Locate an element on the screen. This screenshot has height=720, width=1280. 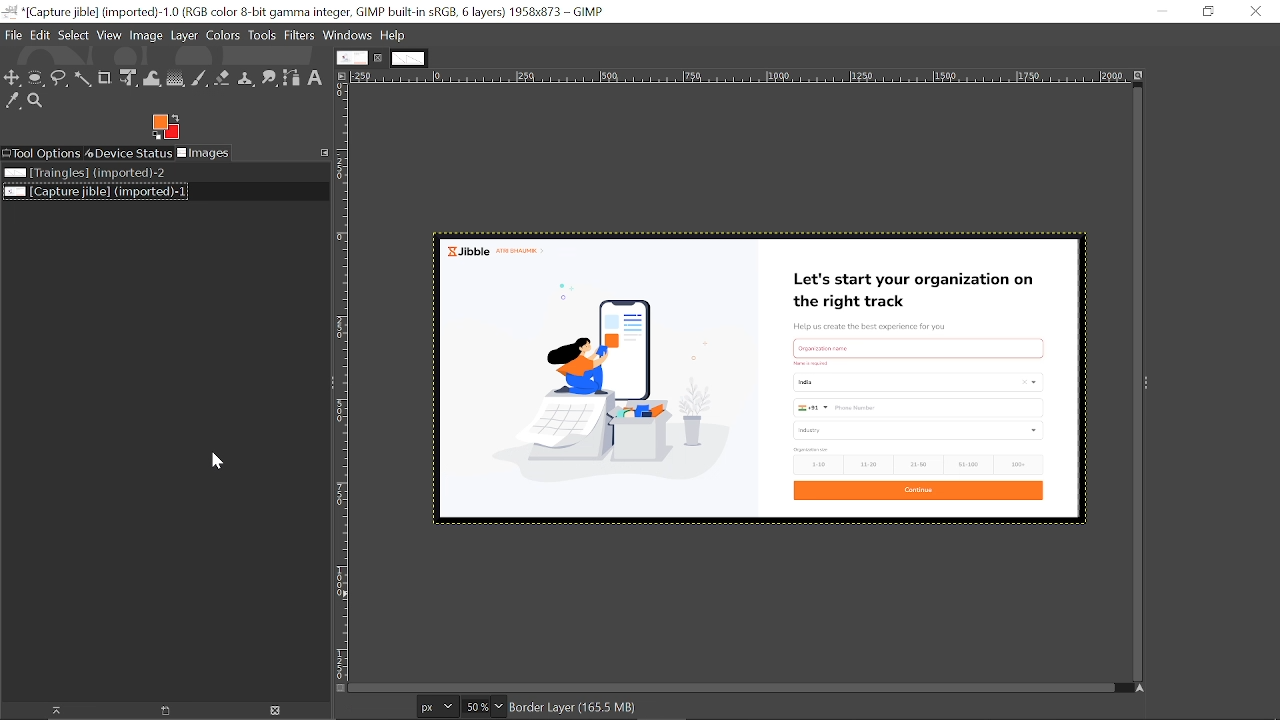
51-100 is located at coordinates (970, 465).